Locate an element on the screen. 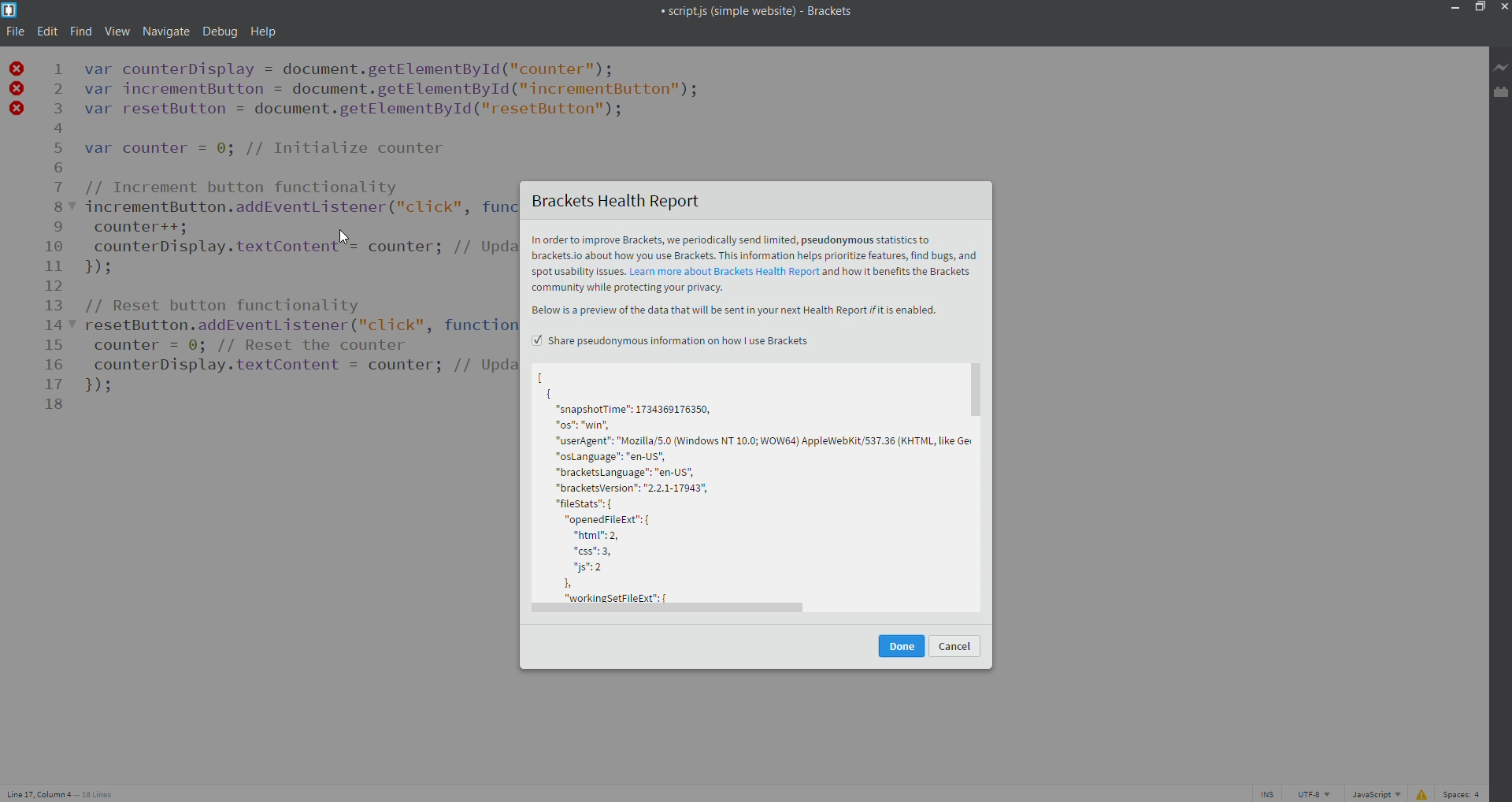 The height and width of the screenshot is (802, 1512). done is located at coordinates (901, 646).